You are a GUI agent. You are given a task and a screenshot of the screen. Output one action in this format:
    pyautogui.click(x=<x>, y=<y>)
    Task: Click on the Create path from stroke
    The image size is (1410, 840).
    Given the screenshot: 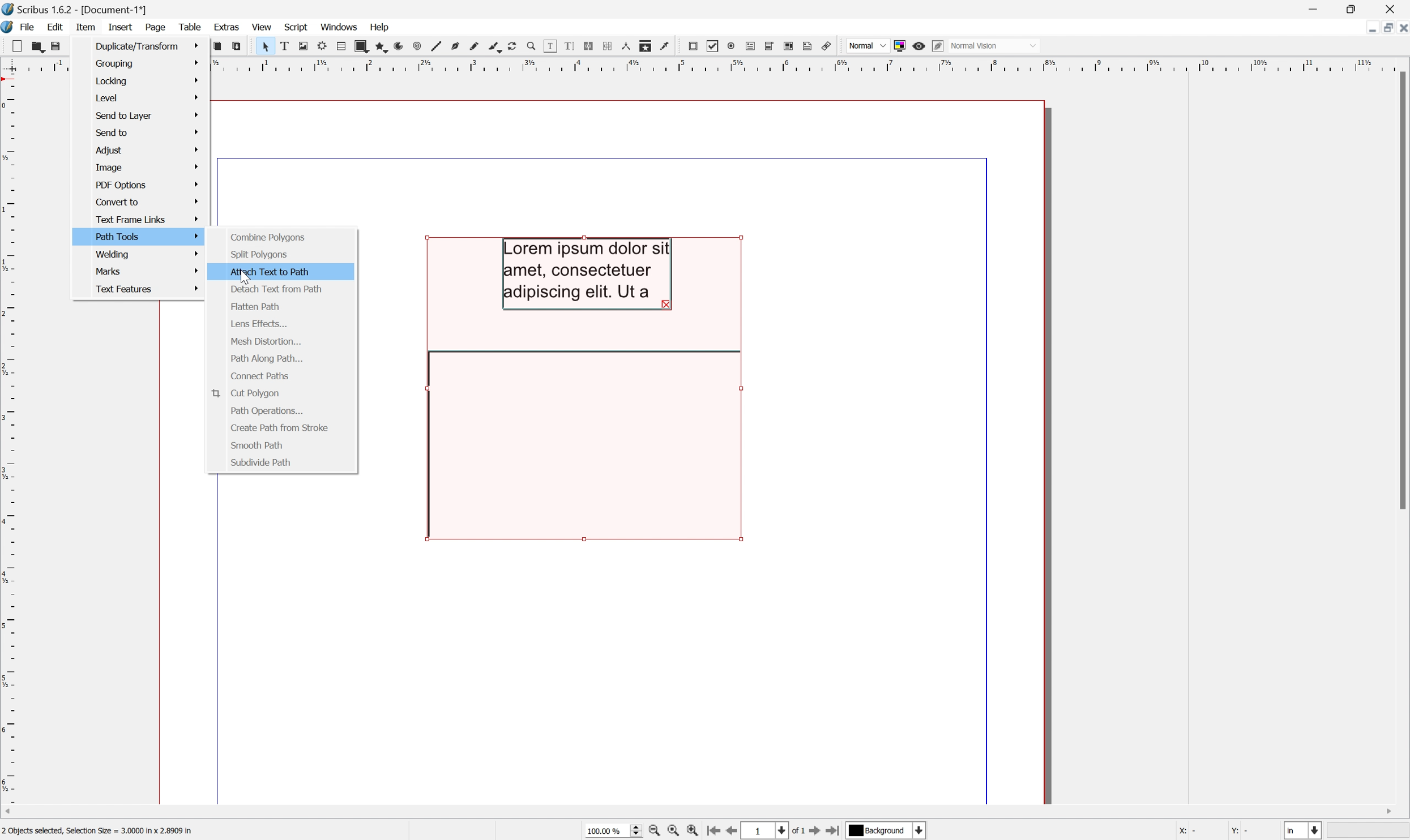 What is the action you would take?
    pyautogui.click(x=280, y=427)
    